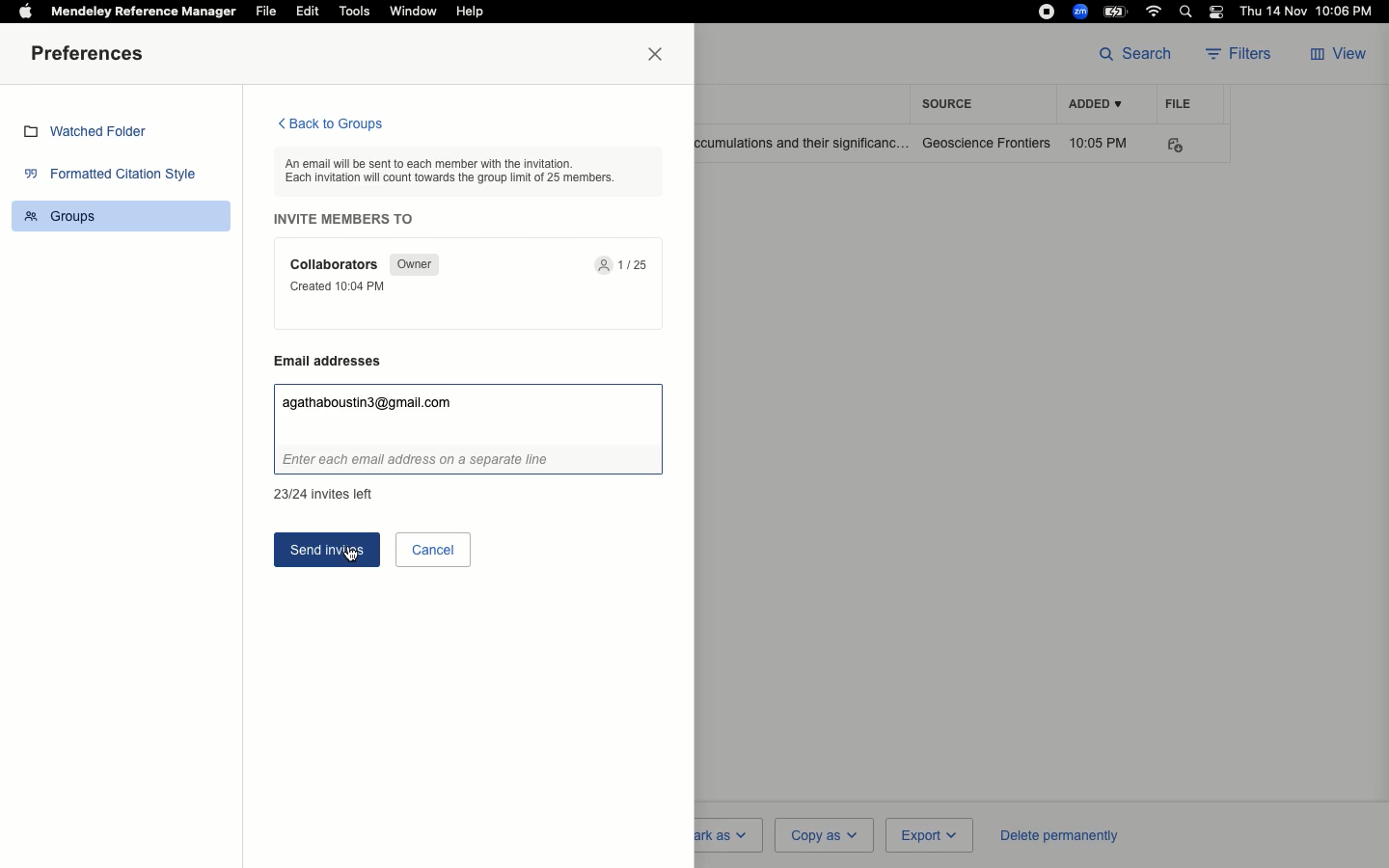  What do you see at coordinates (412, 264) in the screenshot?
I see `Owner` at bounding box center [412, 264].